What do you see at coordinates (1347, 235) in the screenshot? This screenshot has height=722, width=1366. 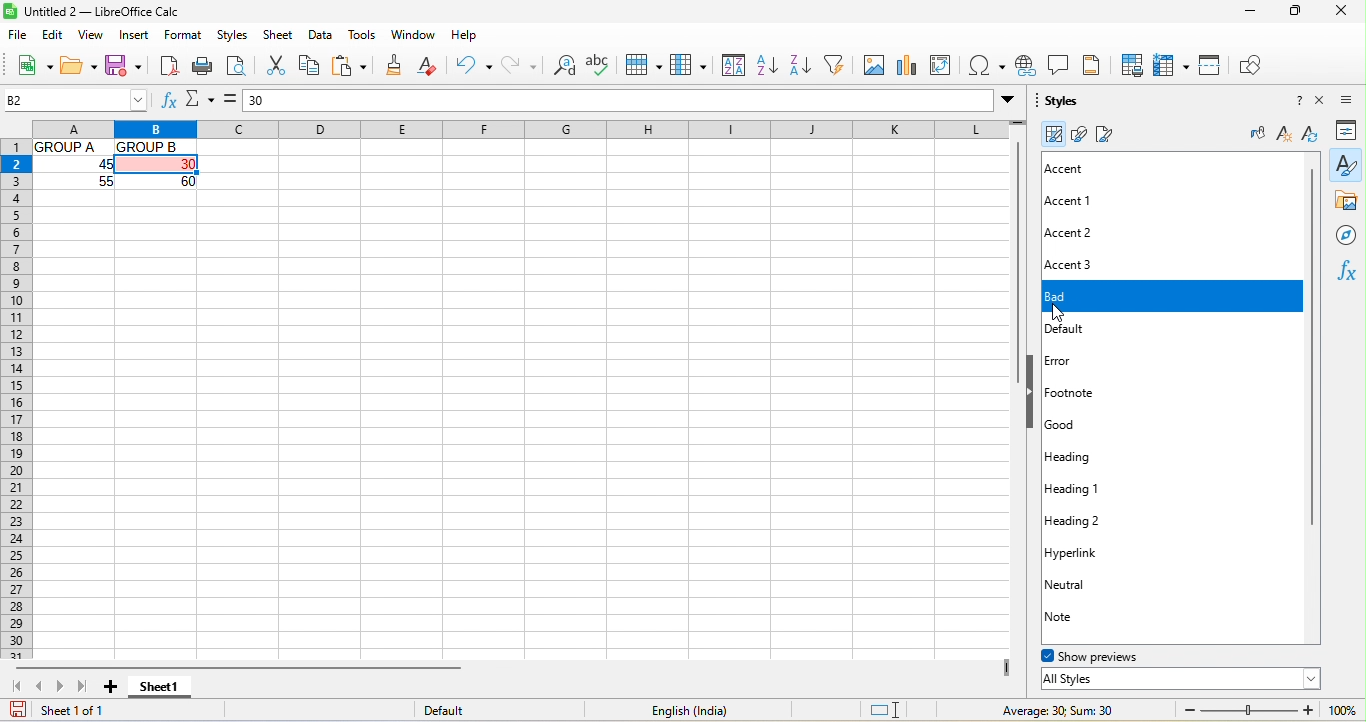 I see `navigators` at bounding box center [1347, 235].